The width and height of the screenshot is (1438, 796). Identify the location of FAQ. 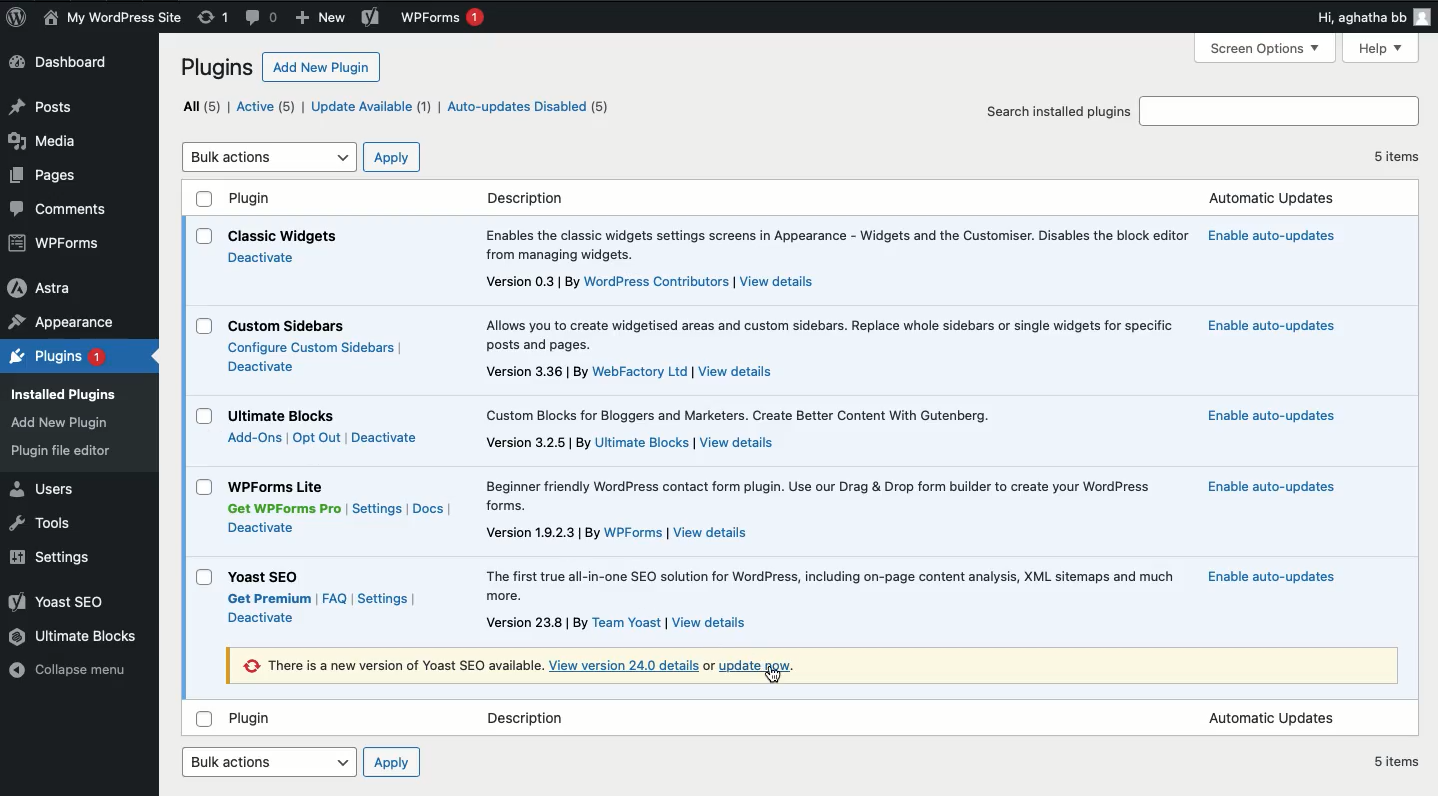
(334, 598).